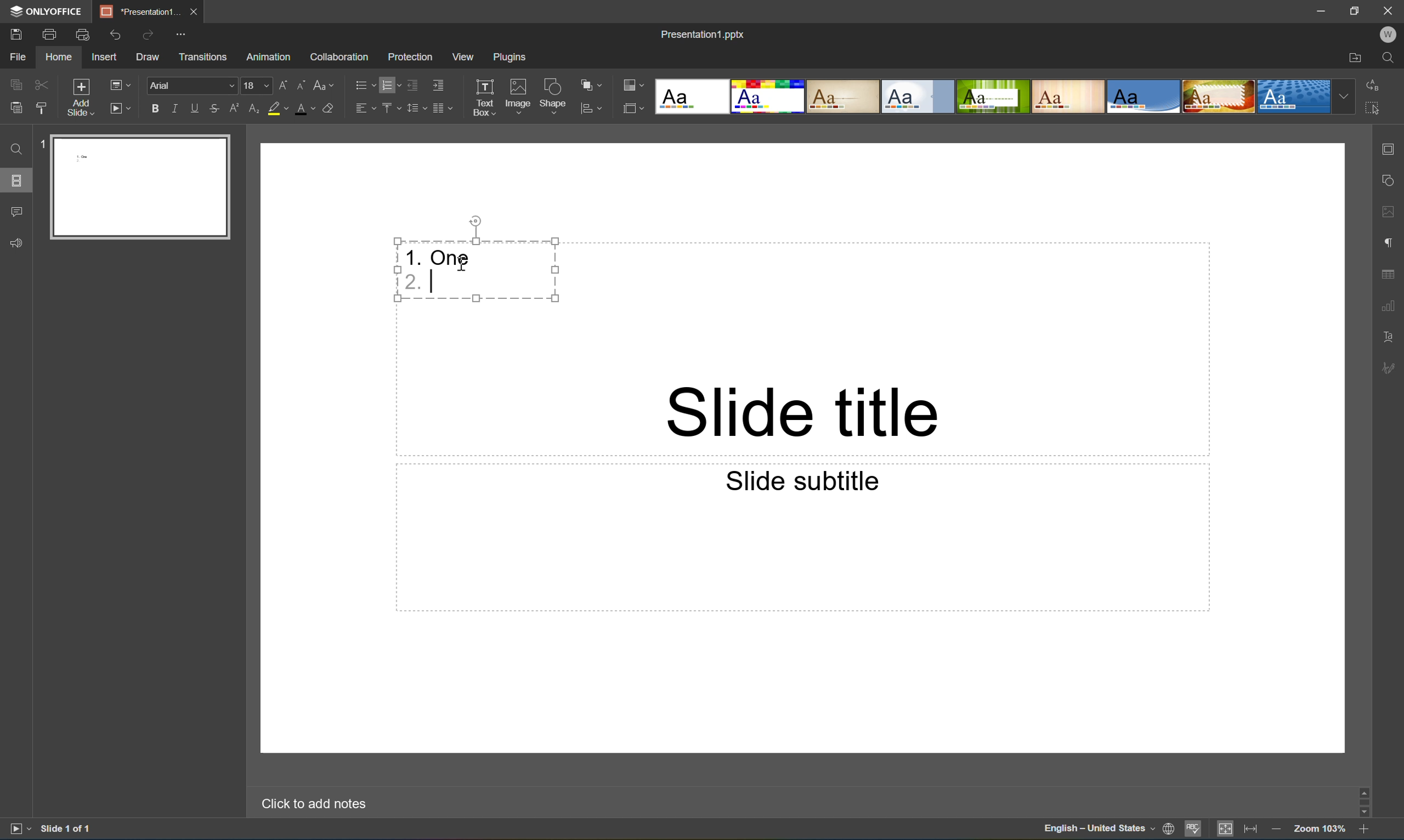 This screenshot has height=840, width=1404. Describe the element at coordinates (632, 108) in the screenshot. I see `Change slide size` at that location.